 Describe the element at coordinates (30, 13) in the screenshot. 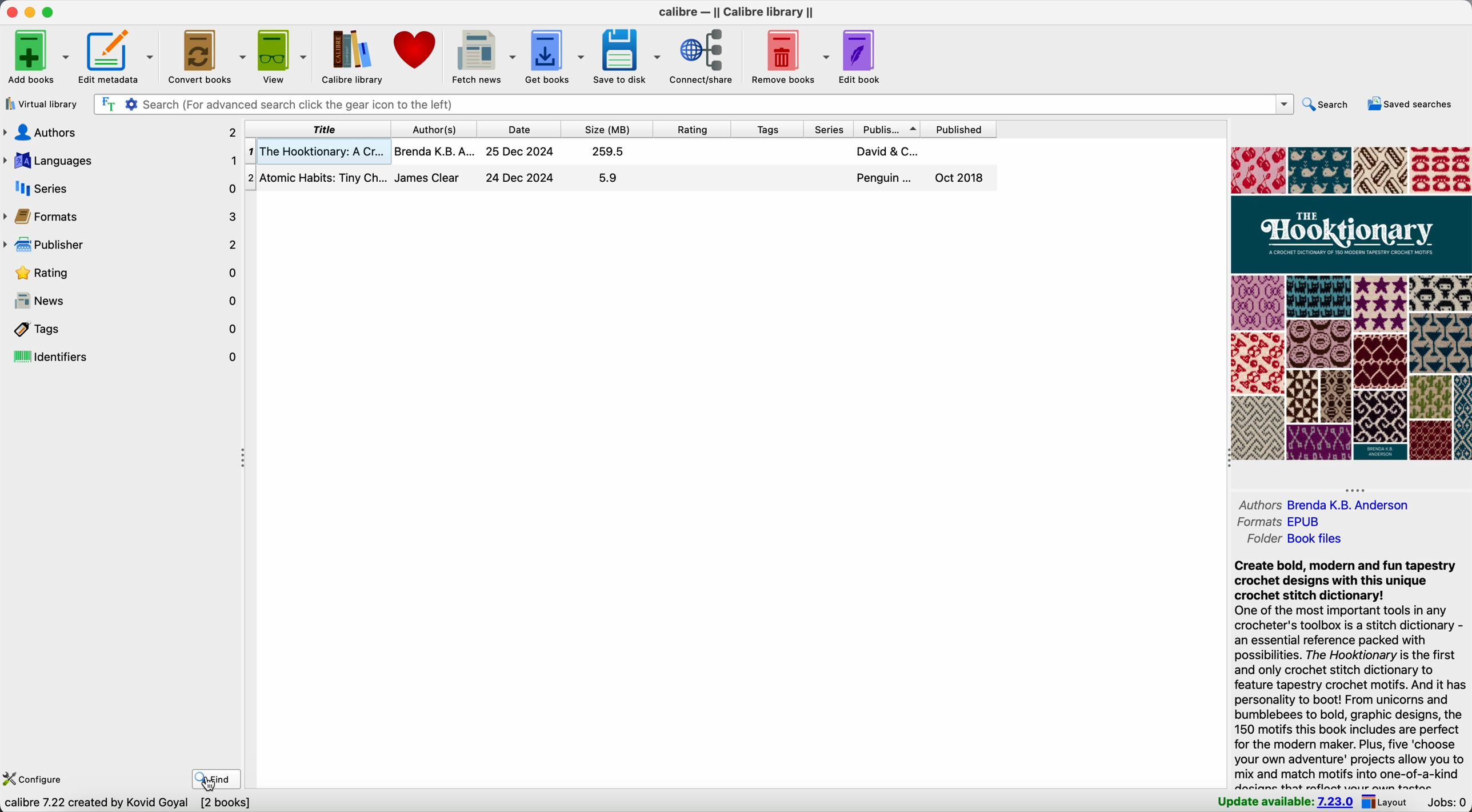

I see `minimize` at that location.